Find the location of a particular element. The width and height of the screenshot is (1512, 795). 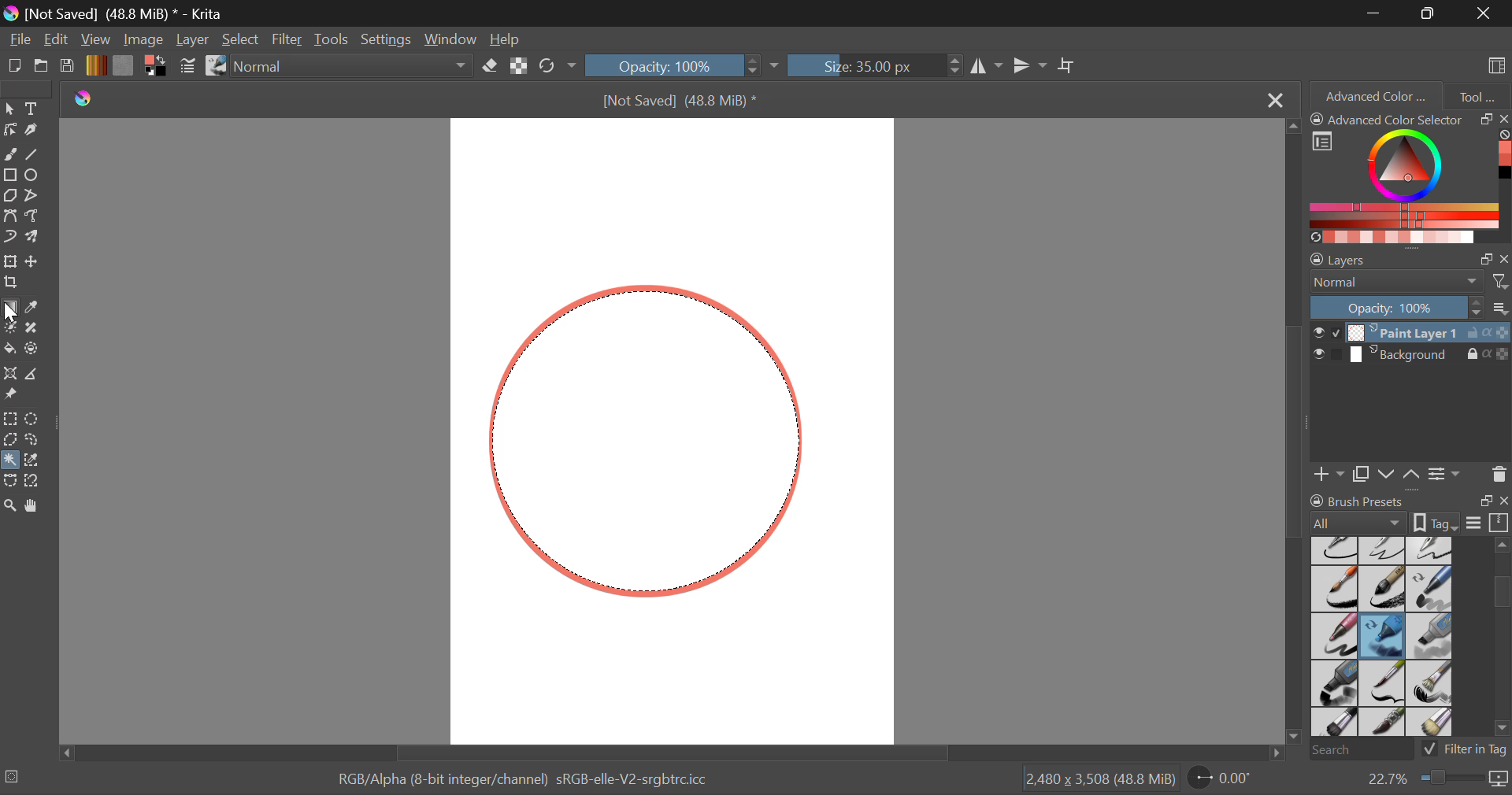

Elliptical Selection Tool is located at coordinates (32, 419).